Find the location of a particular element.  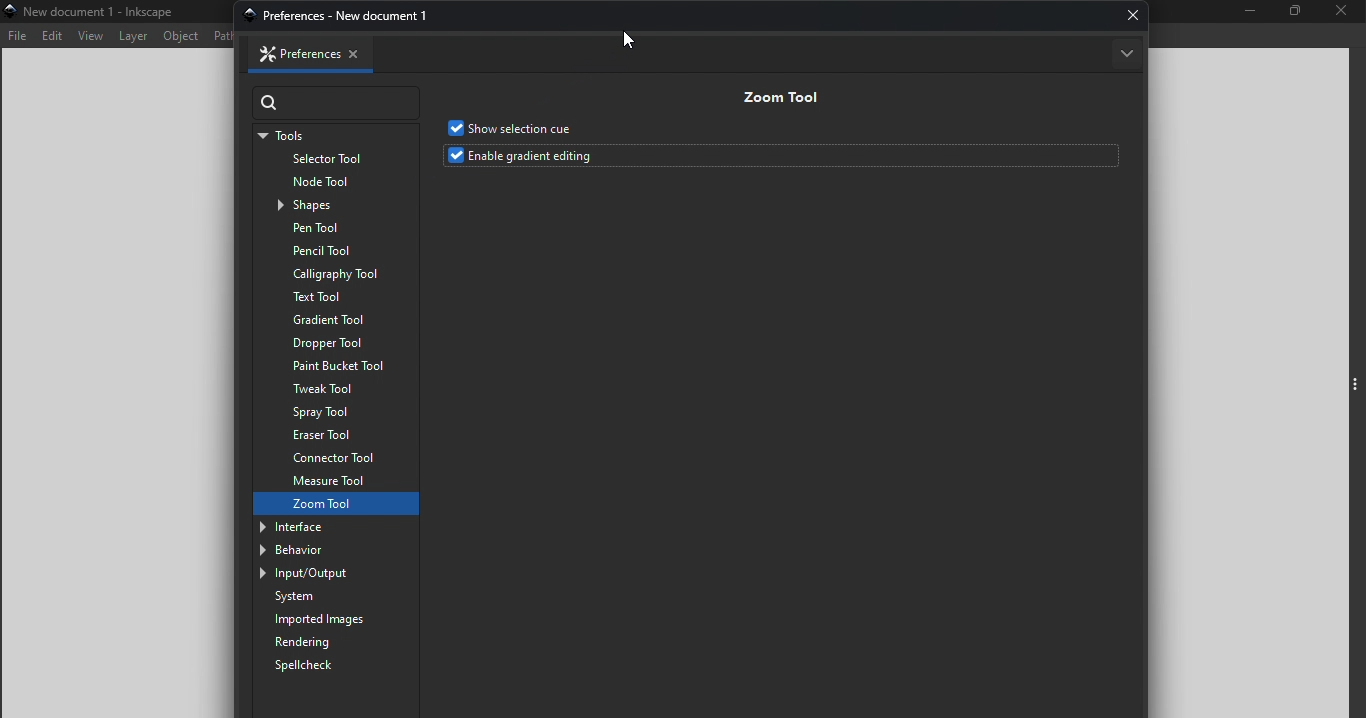

Minimize is located at coordinates (1246, 12).